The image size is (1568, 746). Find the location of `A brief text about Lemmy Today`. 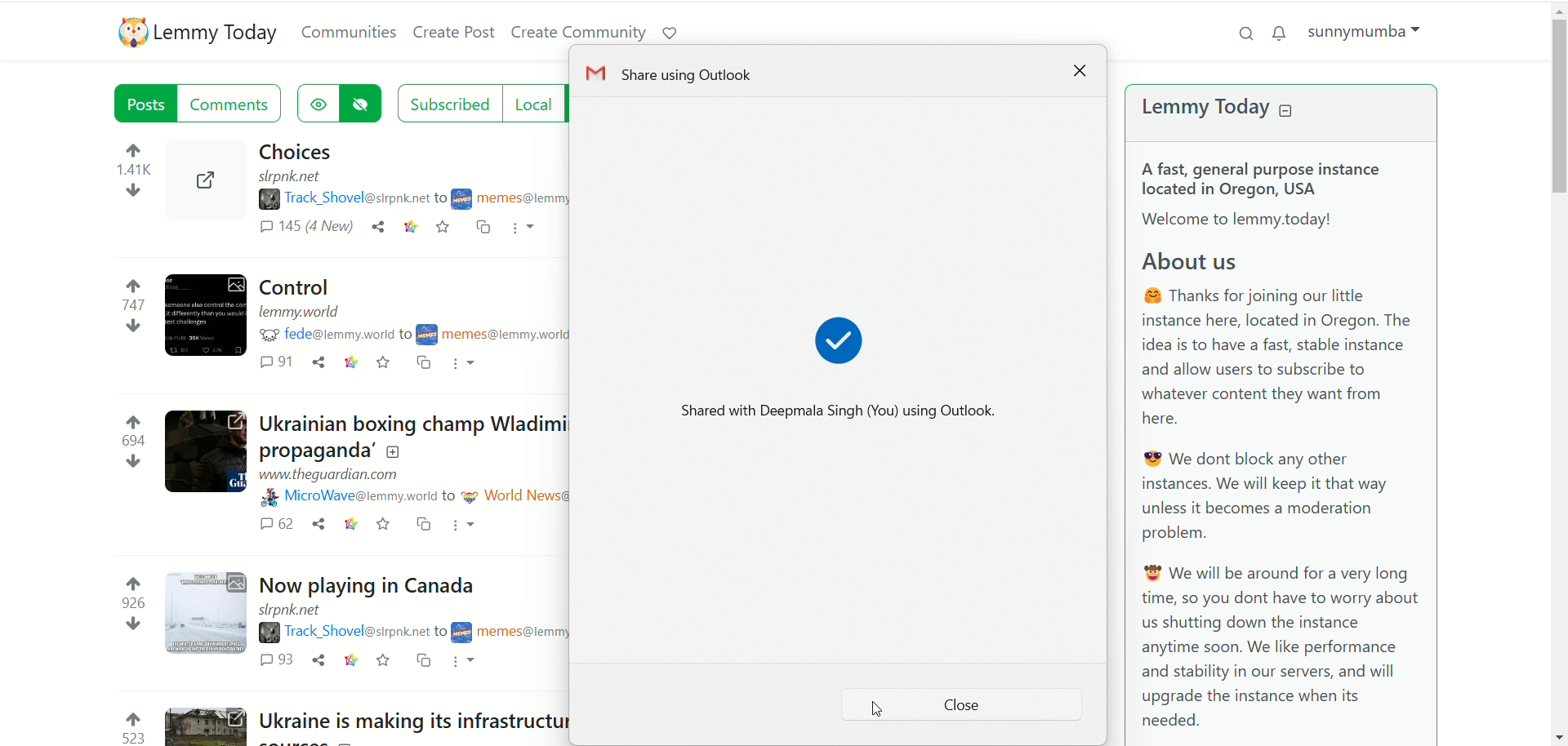

A brief text about Lemmy Today is located at coordinates (1290, 444).